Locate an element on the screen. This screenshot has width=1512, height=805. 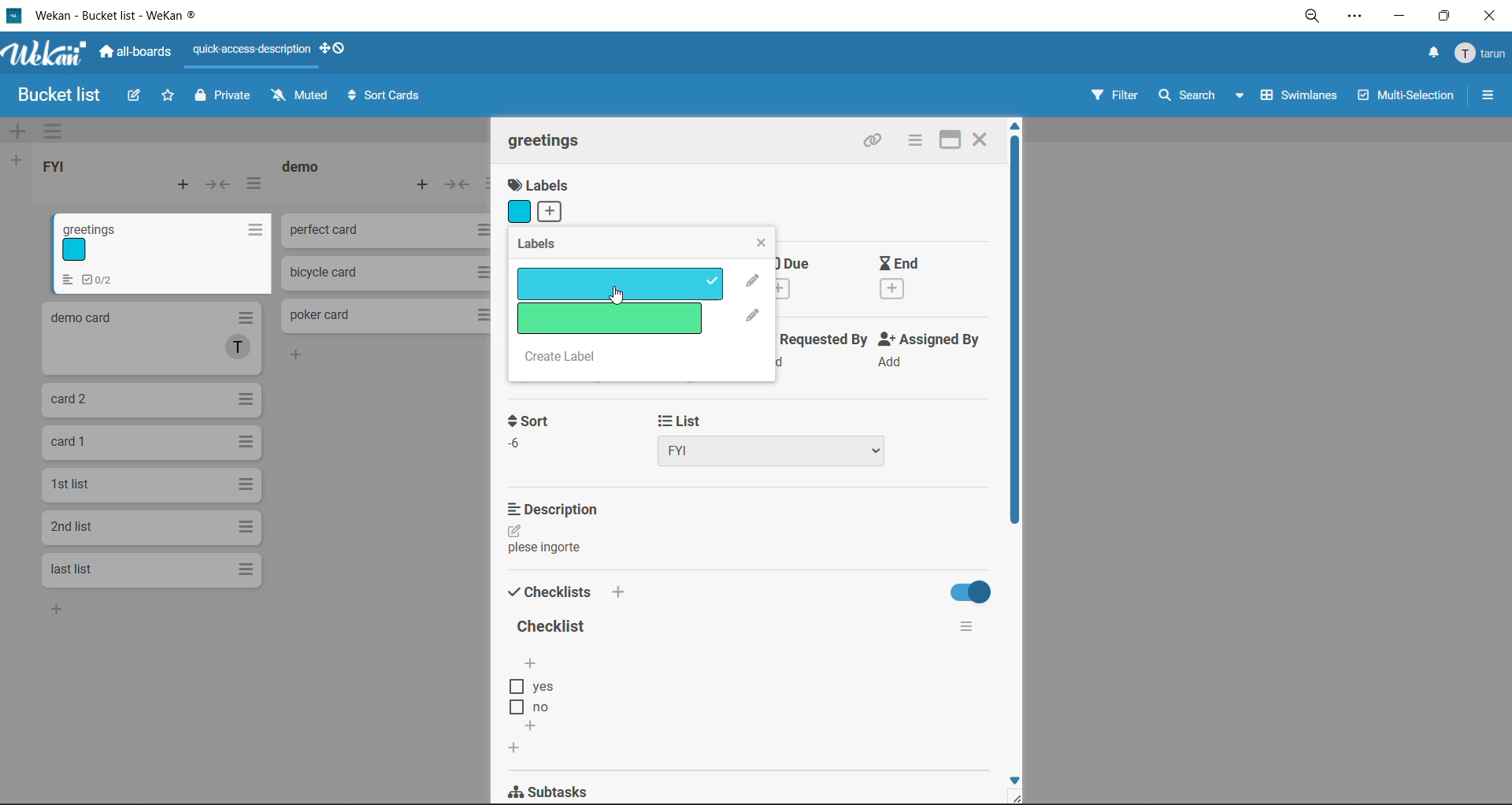
close is located at coordinates (984, 139).